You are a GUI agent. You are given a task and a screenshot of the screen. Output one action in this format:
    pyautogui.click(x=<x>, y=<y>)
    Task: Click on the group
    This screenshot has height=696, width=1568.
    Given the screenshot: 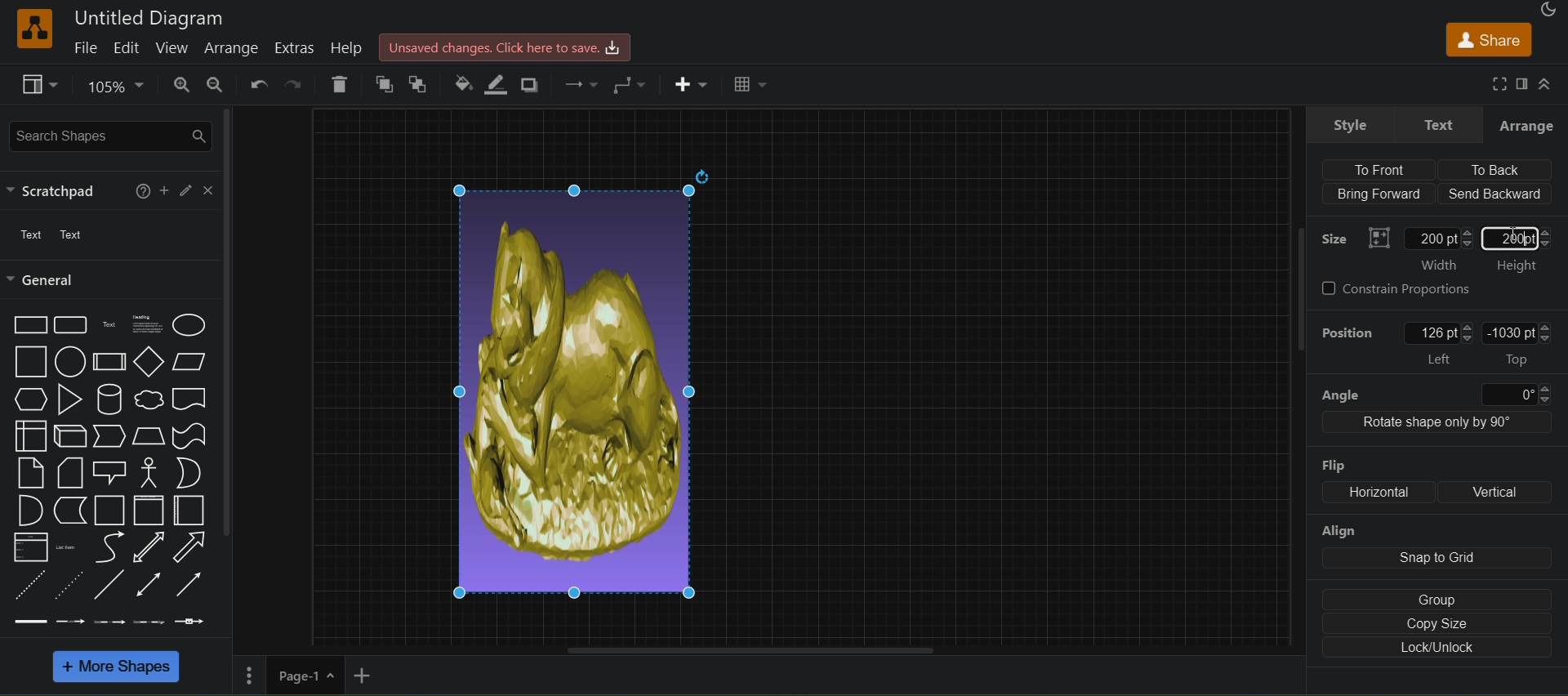 What is the action you would take?
    pyautogui.click(x=1432, y=599)
    